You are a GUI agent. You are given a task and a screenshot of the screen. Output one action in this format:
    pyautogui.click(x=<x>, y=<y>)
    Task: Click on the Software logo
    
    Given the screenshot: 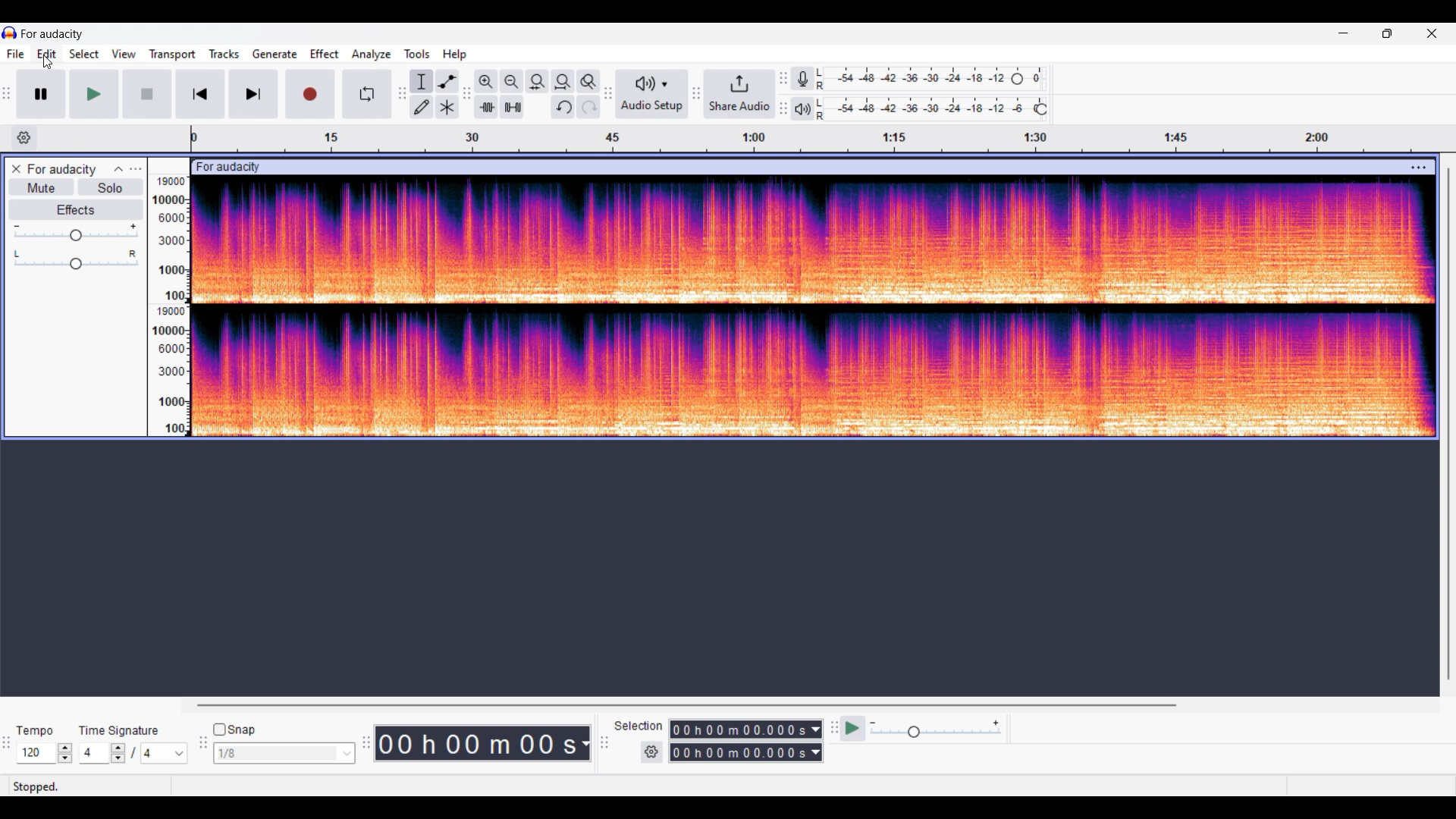 What is the action you would take?
    pyautogui.click(x=10, y=33)
    